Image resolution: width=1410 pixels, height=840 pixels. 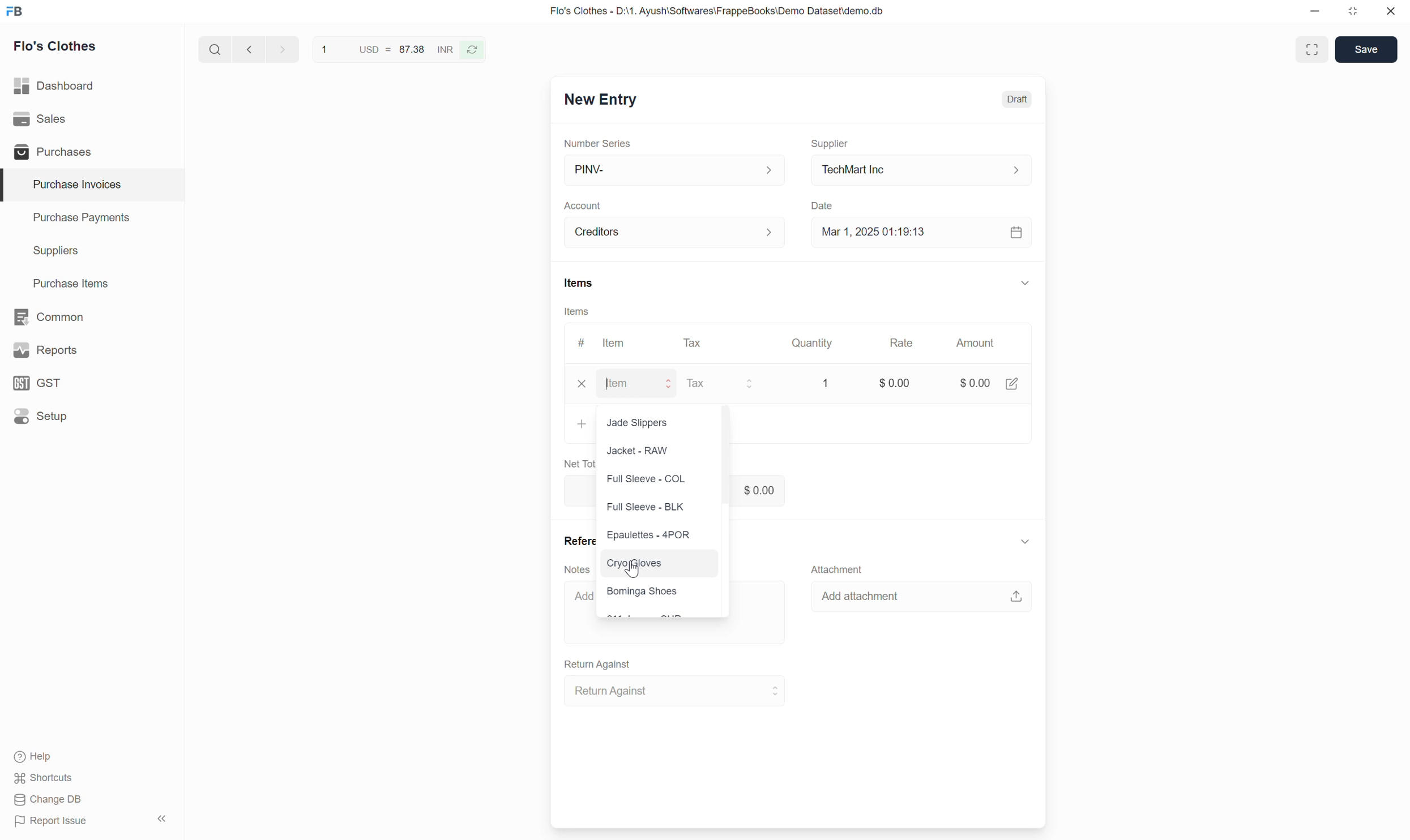 I want to click on Setup, so click(x=41, y=417).